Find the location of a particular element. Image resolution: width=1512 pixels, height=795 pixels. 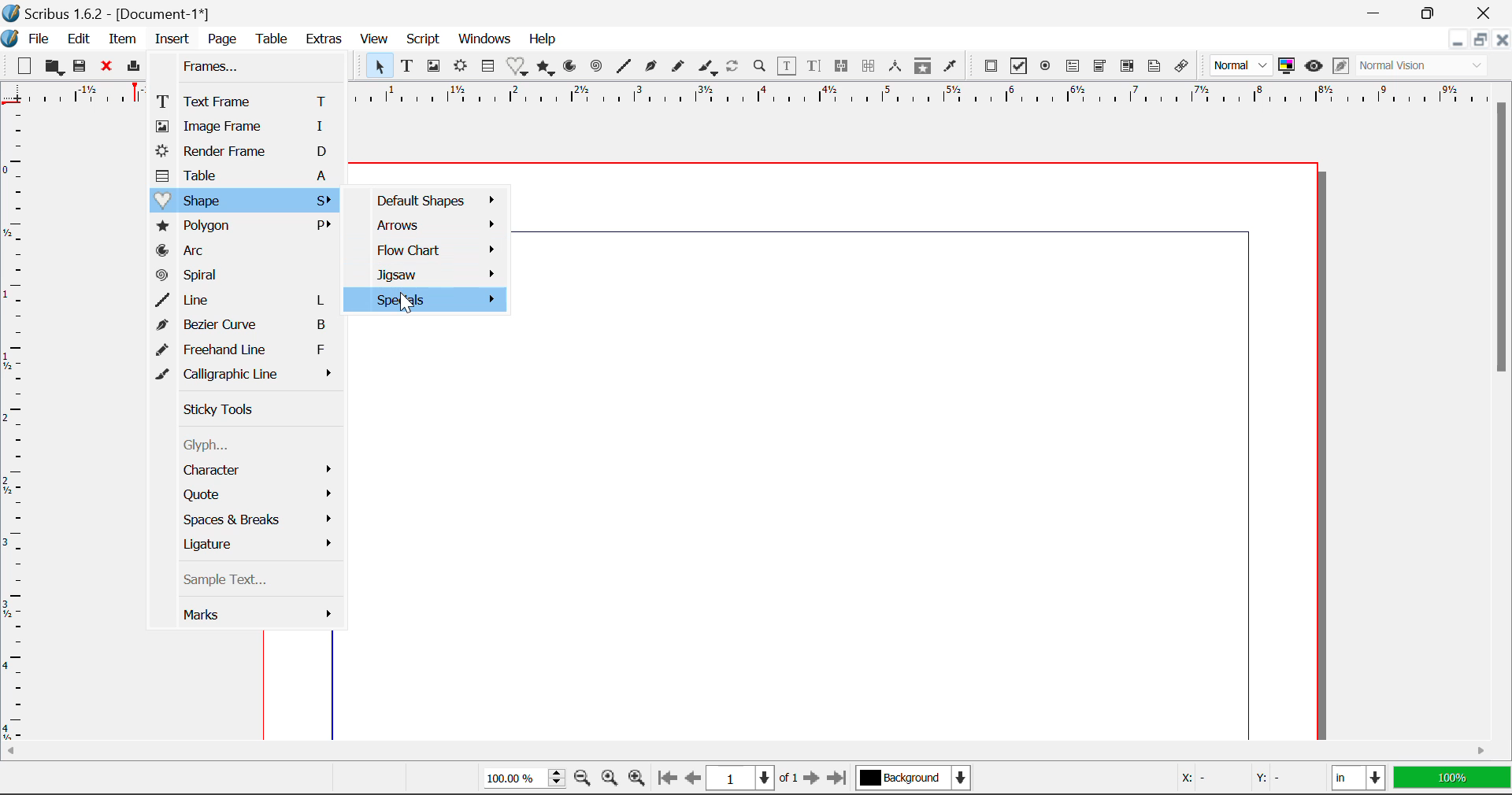

Restore Down is located at coordinates (1459, 42).